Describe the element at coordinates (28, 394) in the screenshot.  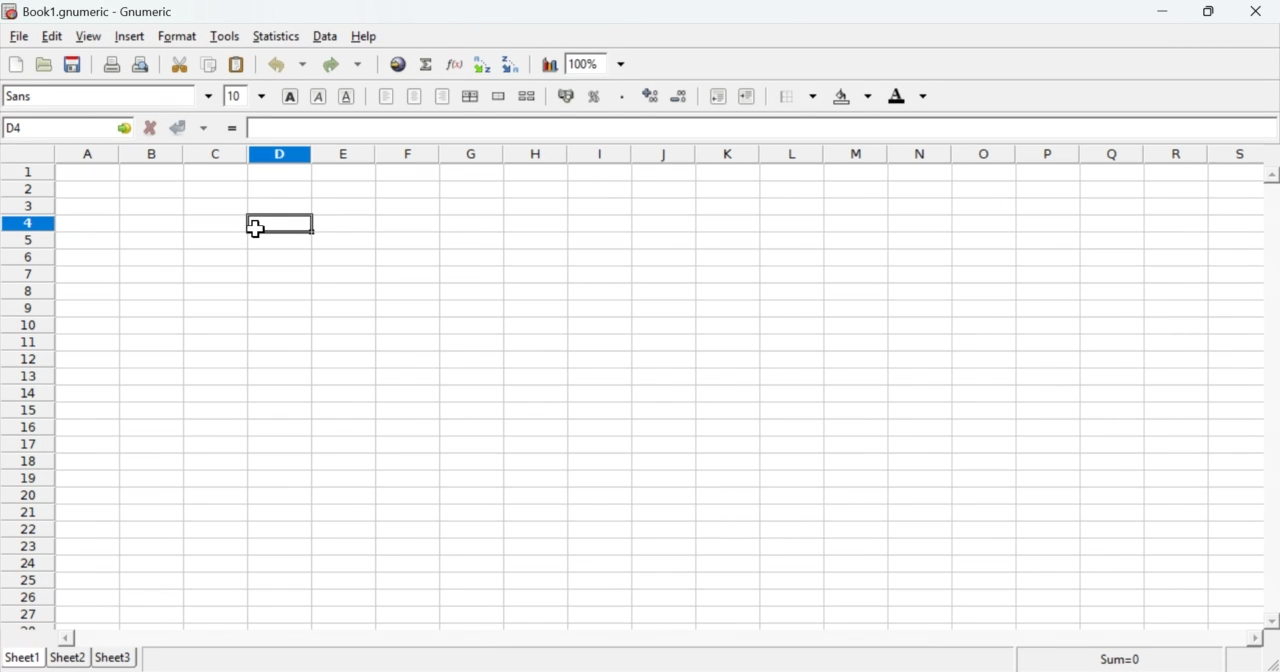
I see `numbering column` at that location.